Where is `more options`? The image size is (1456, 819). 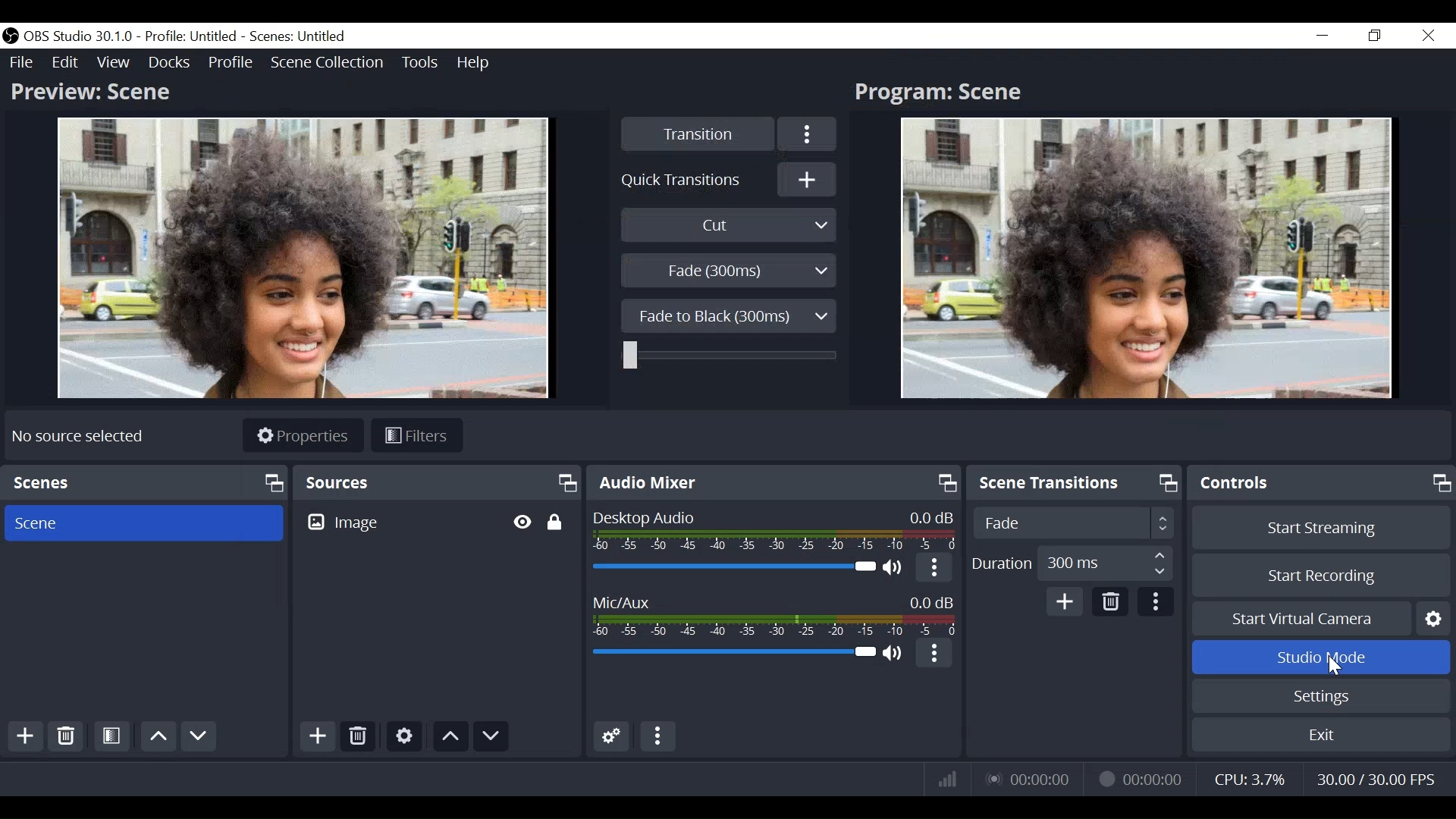 more options is located at coordinates (659, 737).